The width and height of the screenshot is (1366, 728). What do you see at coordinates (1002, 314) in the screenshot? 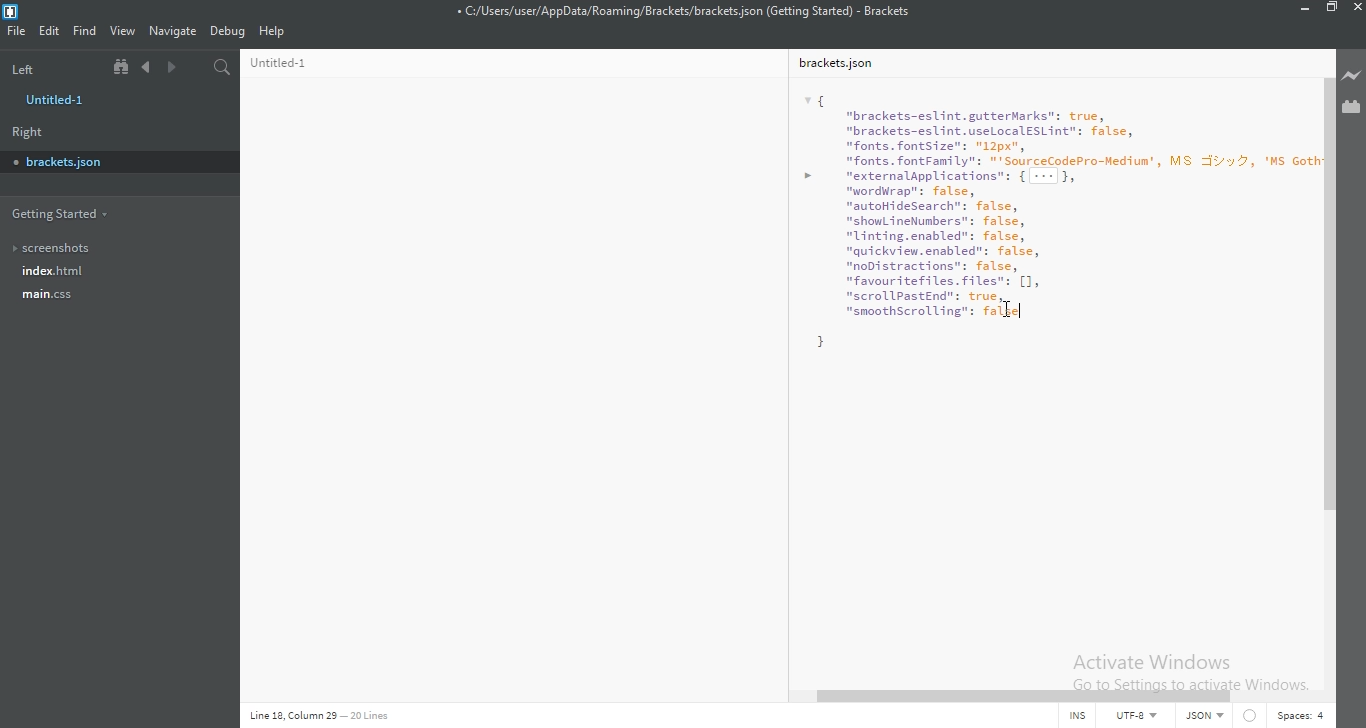
I see `false` at bounding box center [1002, 314].